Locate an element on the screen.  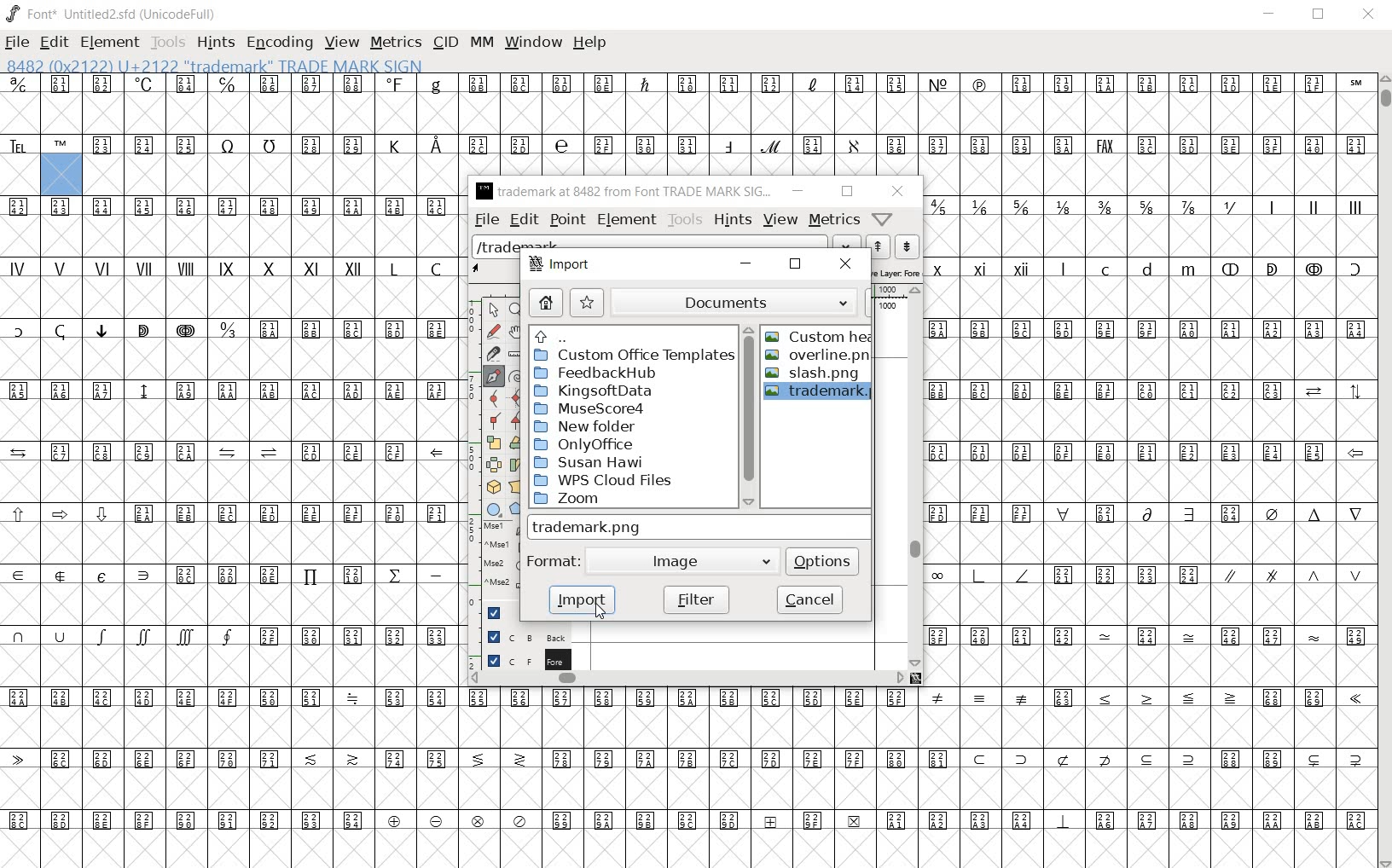
rectangle or ellipse is located at coordinates (491, 508).